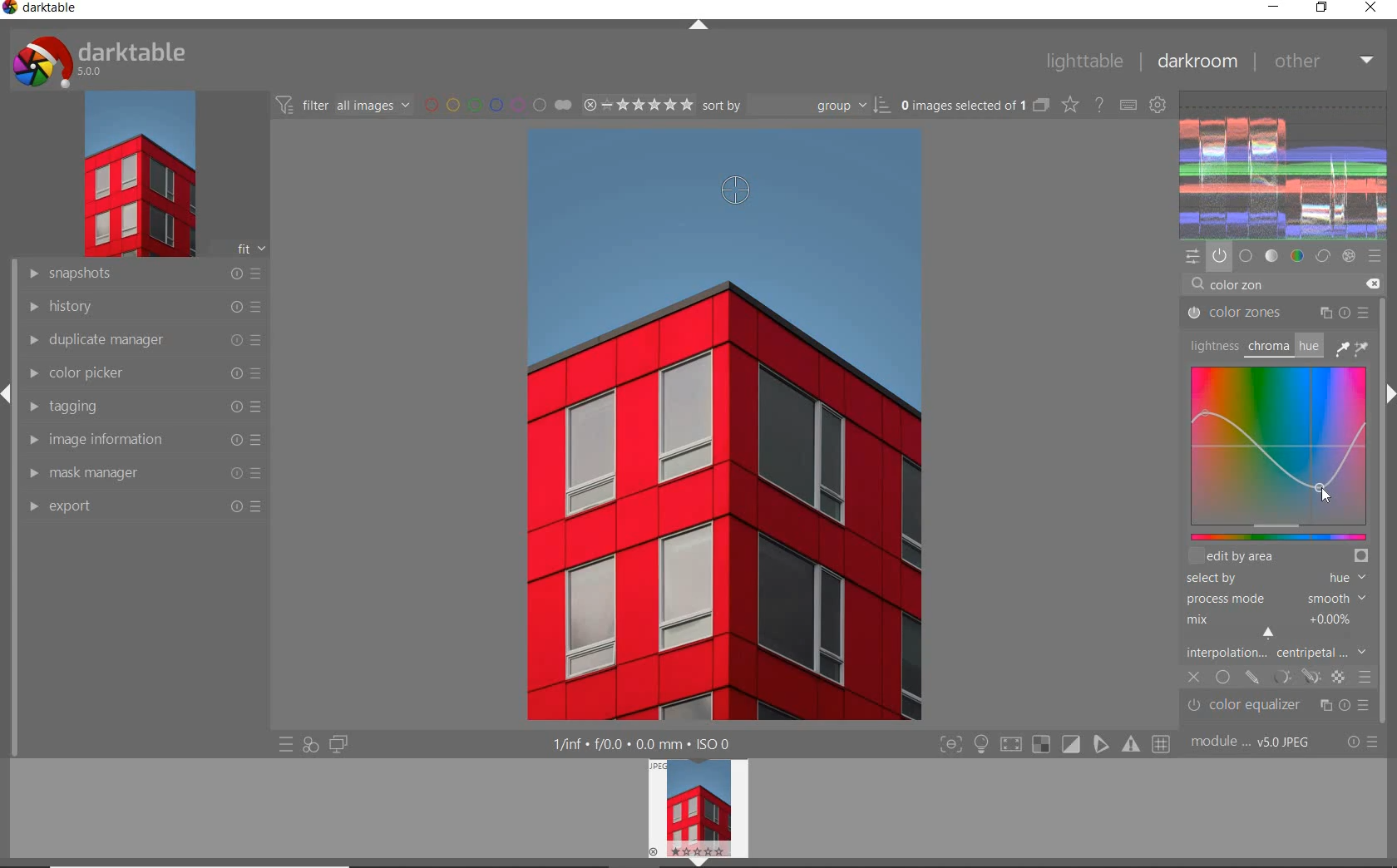 Image resolution: width=1397 pixels, height=868 pixels. I want to click on enable for online help, so click(1100, 104).